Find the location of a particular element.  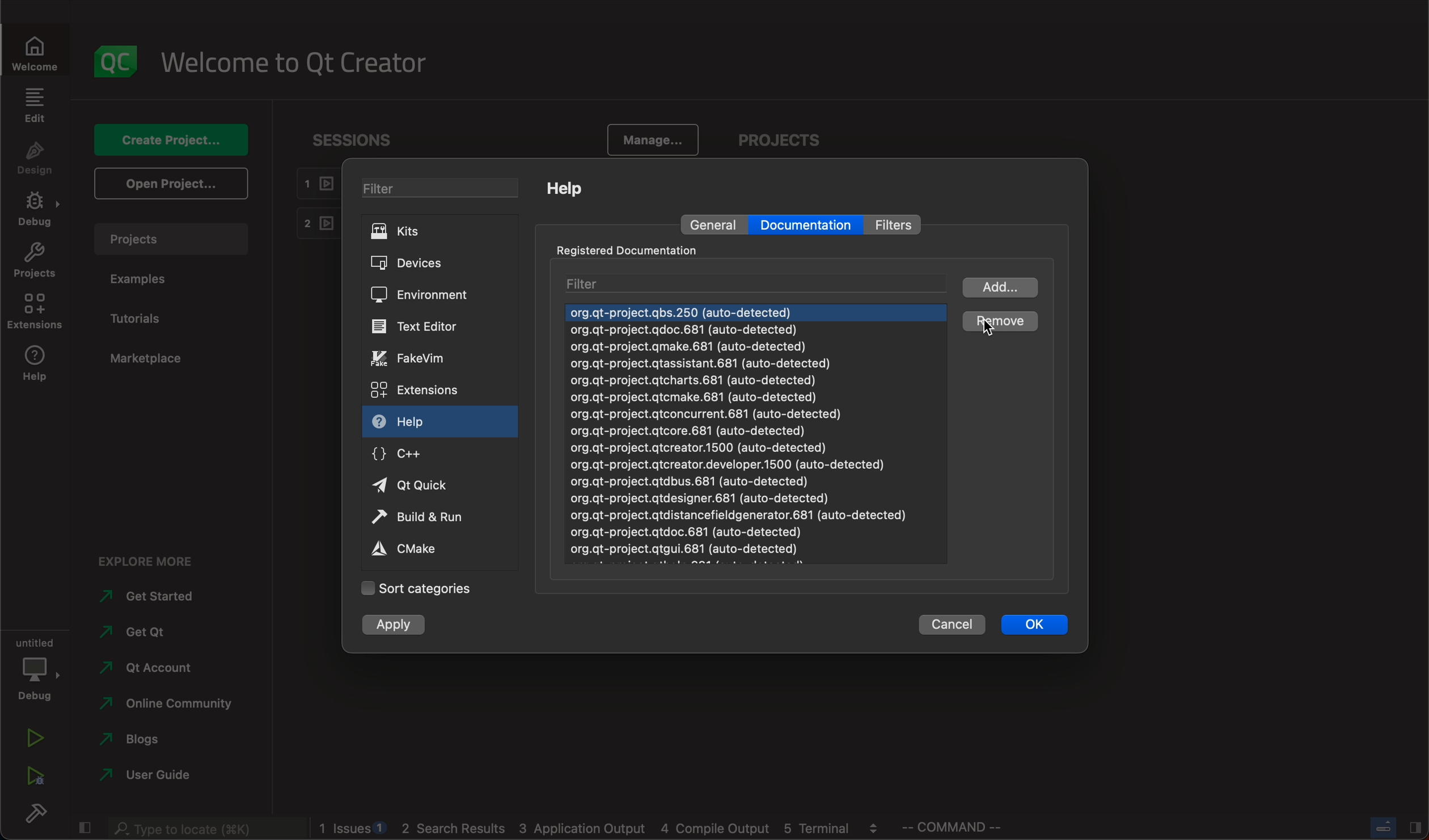

extensions is located at coordinates (40, 311).